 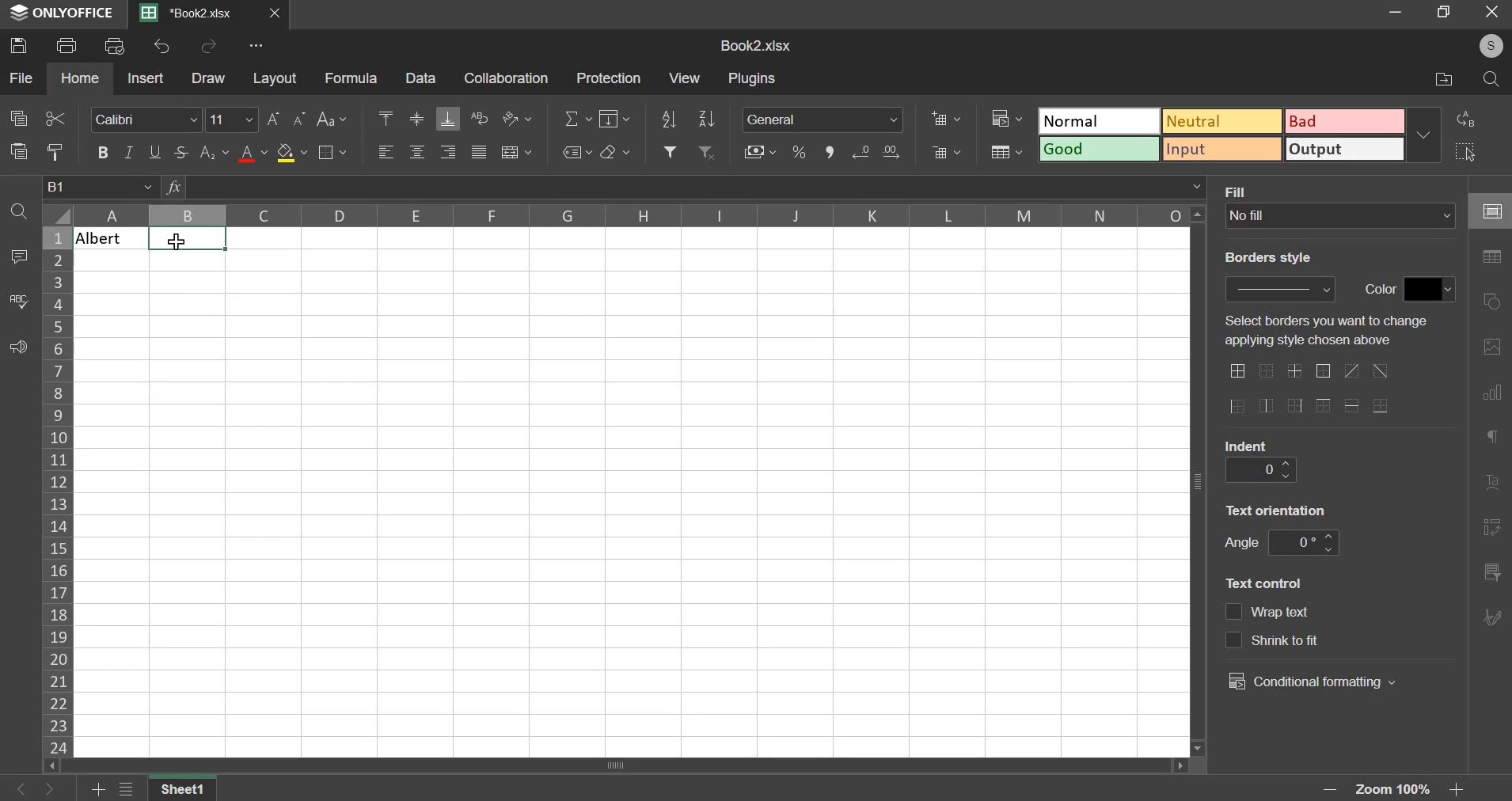 What do you see at coordinates (1432, 289) in the screenshot?
I see `color` at bounding box center [1432, 289].